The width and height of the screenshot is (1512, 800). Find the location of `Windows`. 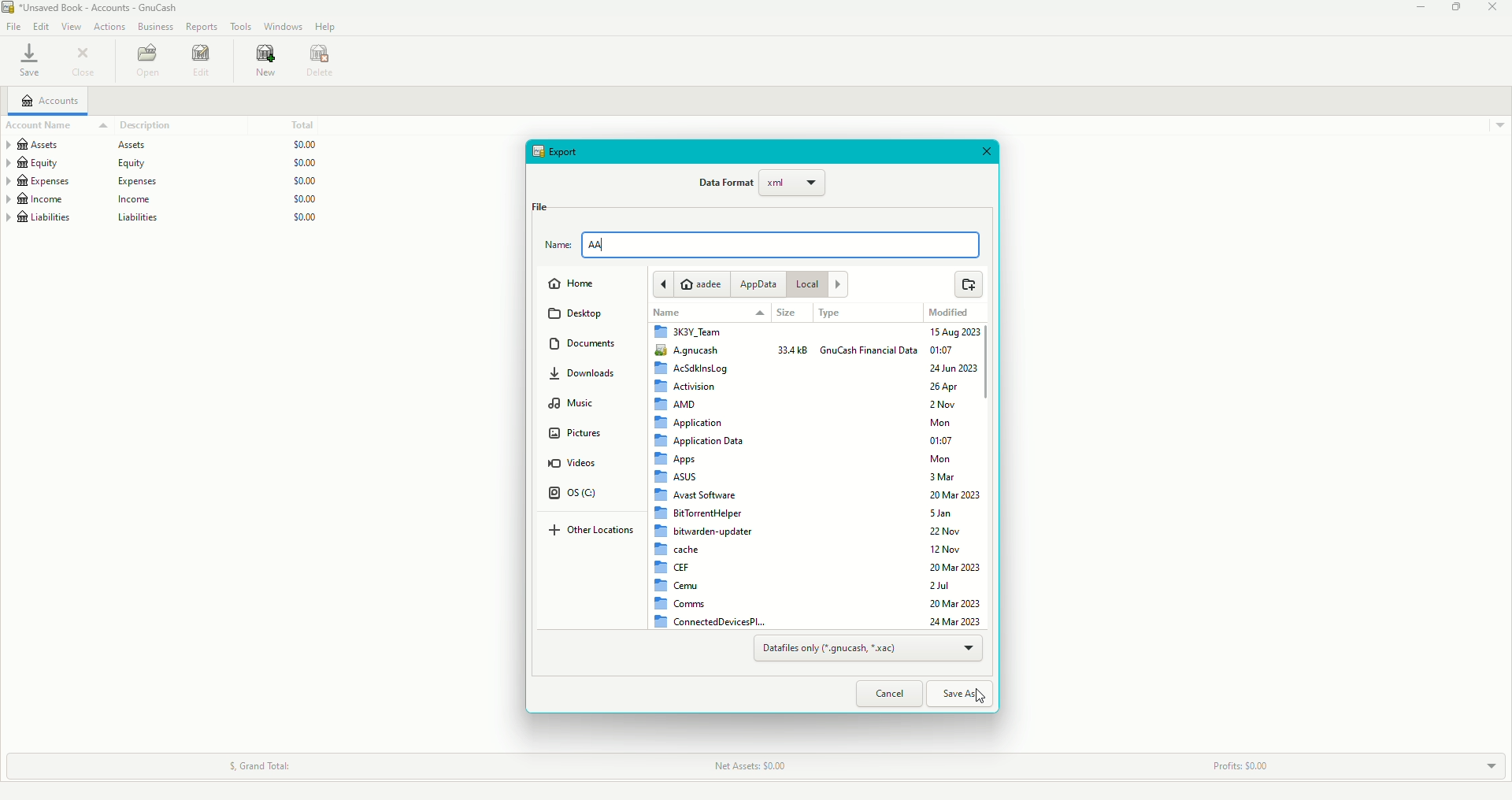

Windows is located at coordinates (283, 28).